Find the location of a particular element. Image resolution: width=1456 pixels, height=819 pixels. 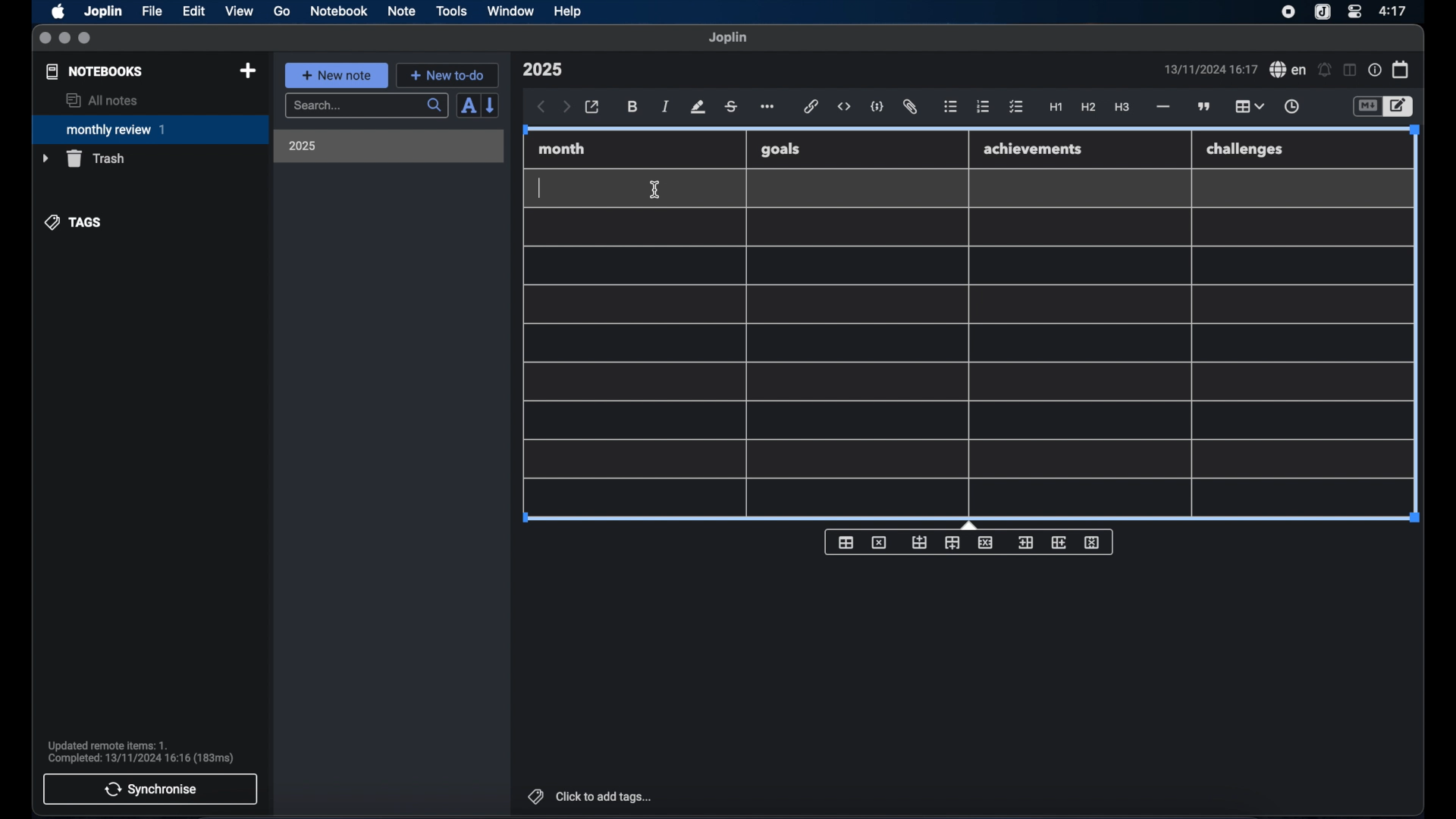

calendar is located at coordinates (1401, 69).